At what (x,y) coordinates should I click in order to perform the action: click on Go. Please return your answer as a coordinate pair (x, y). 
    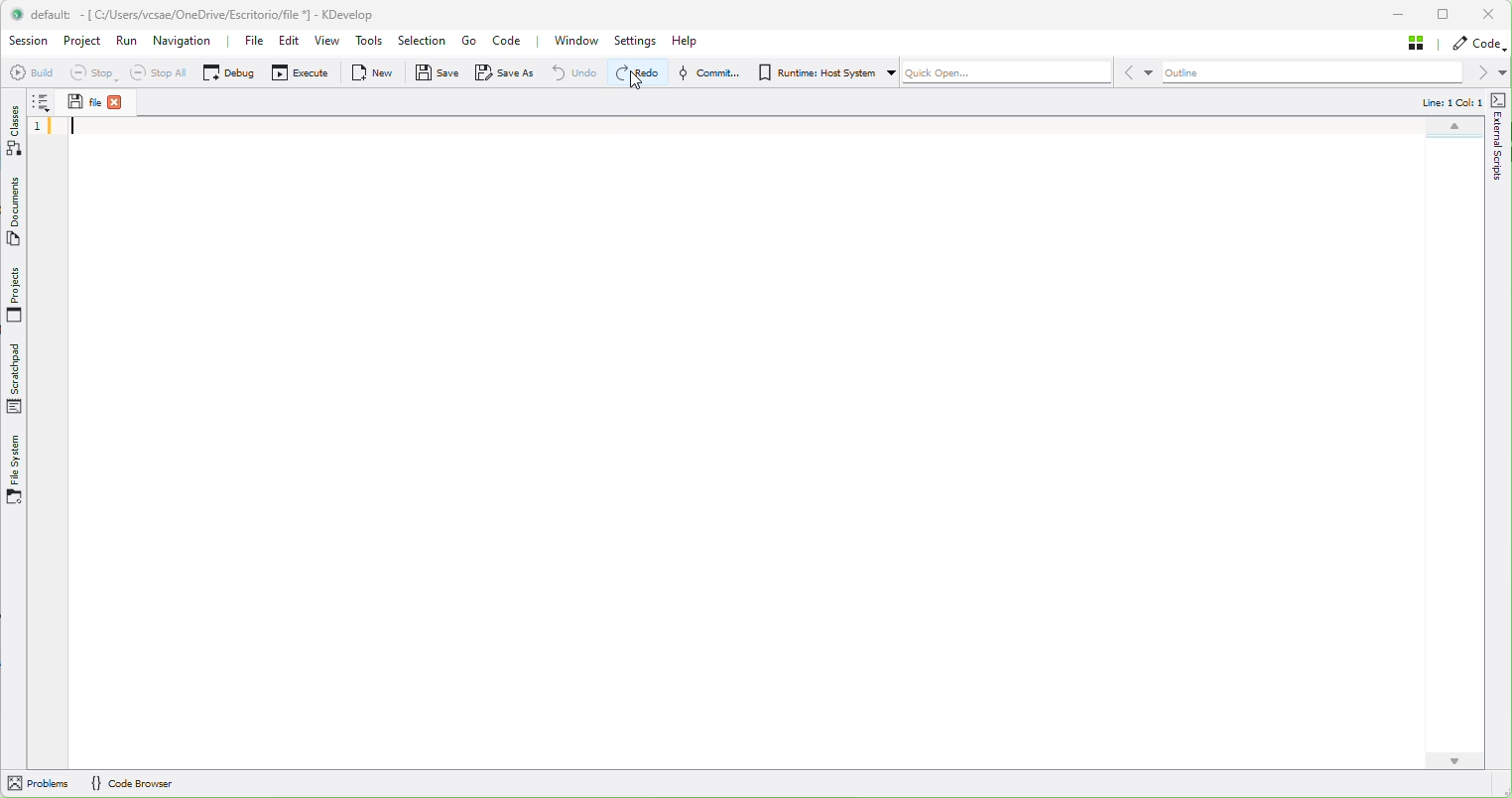
    Looking at the image, I should click on (469, 40).